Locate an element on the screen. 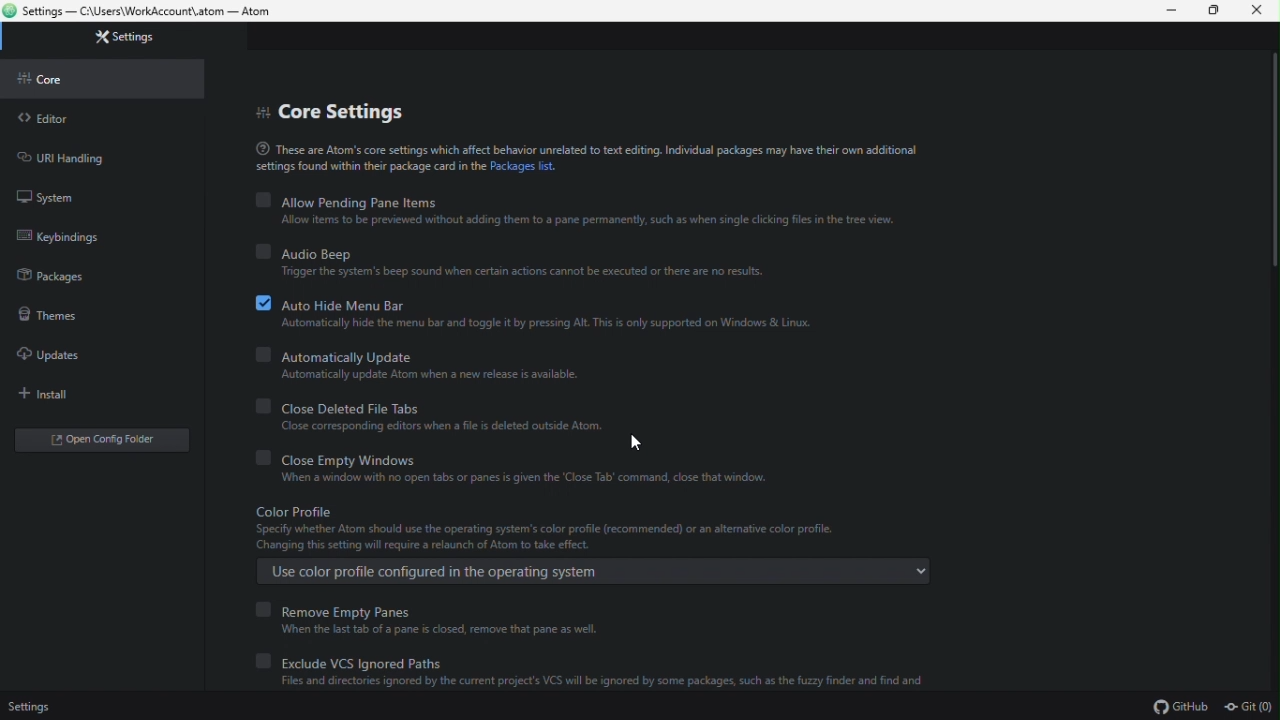 The width and height of the screenshot is (1280, 720). ‘Automatically hide the menu bar and toggle it by pressing AR. This is only supported on Windows & Linux. is located at coordinates (535, 327).